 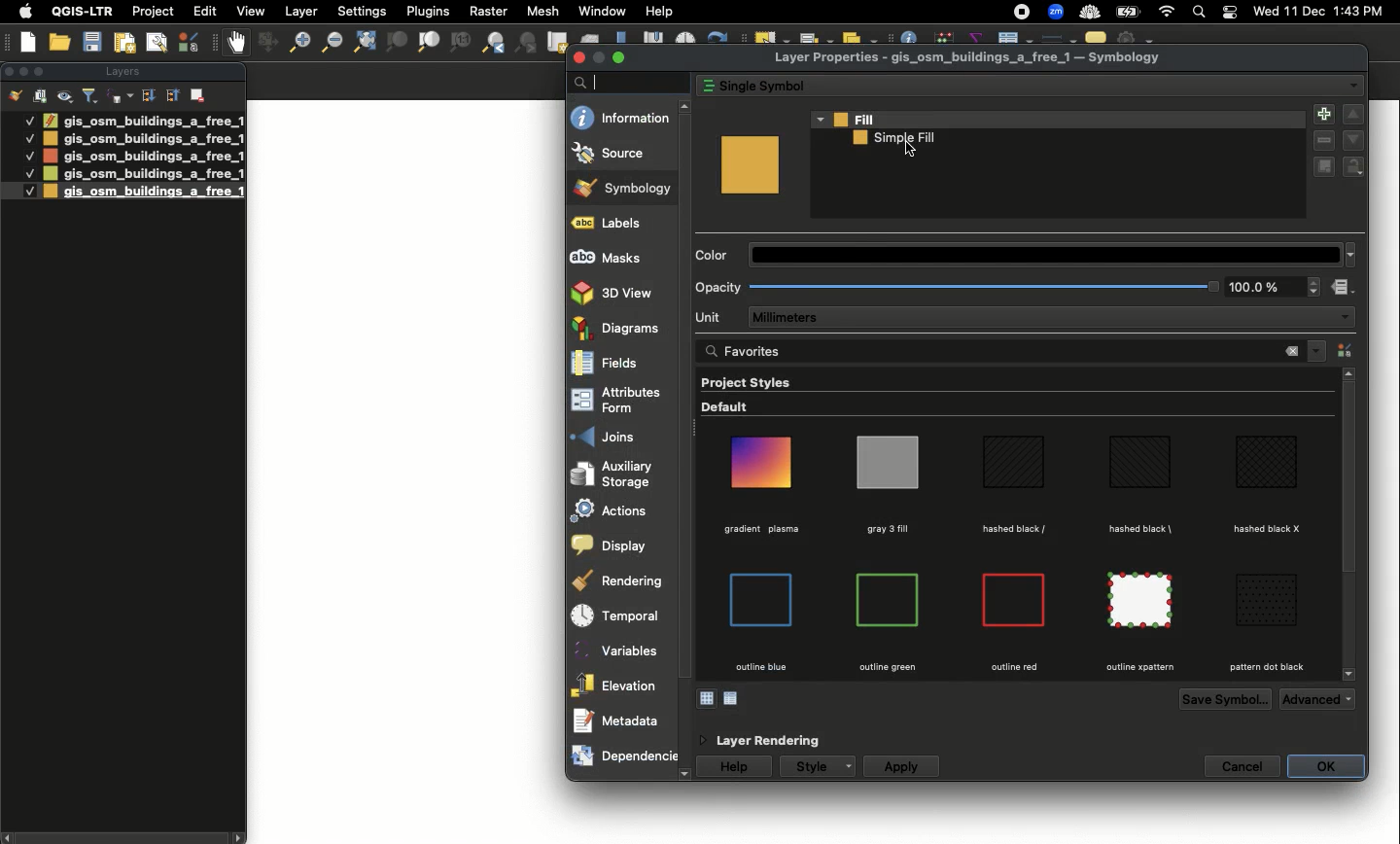 What do you see at coordinates (295, 45) in the screenshot?
I see `Zoom out` at bounding box center [295, 45].